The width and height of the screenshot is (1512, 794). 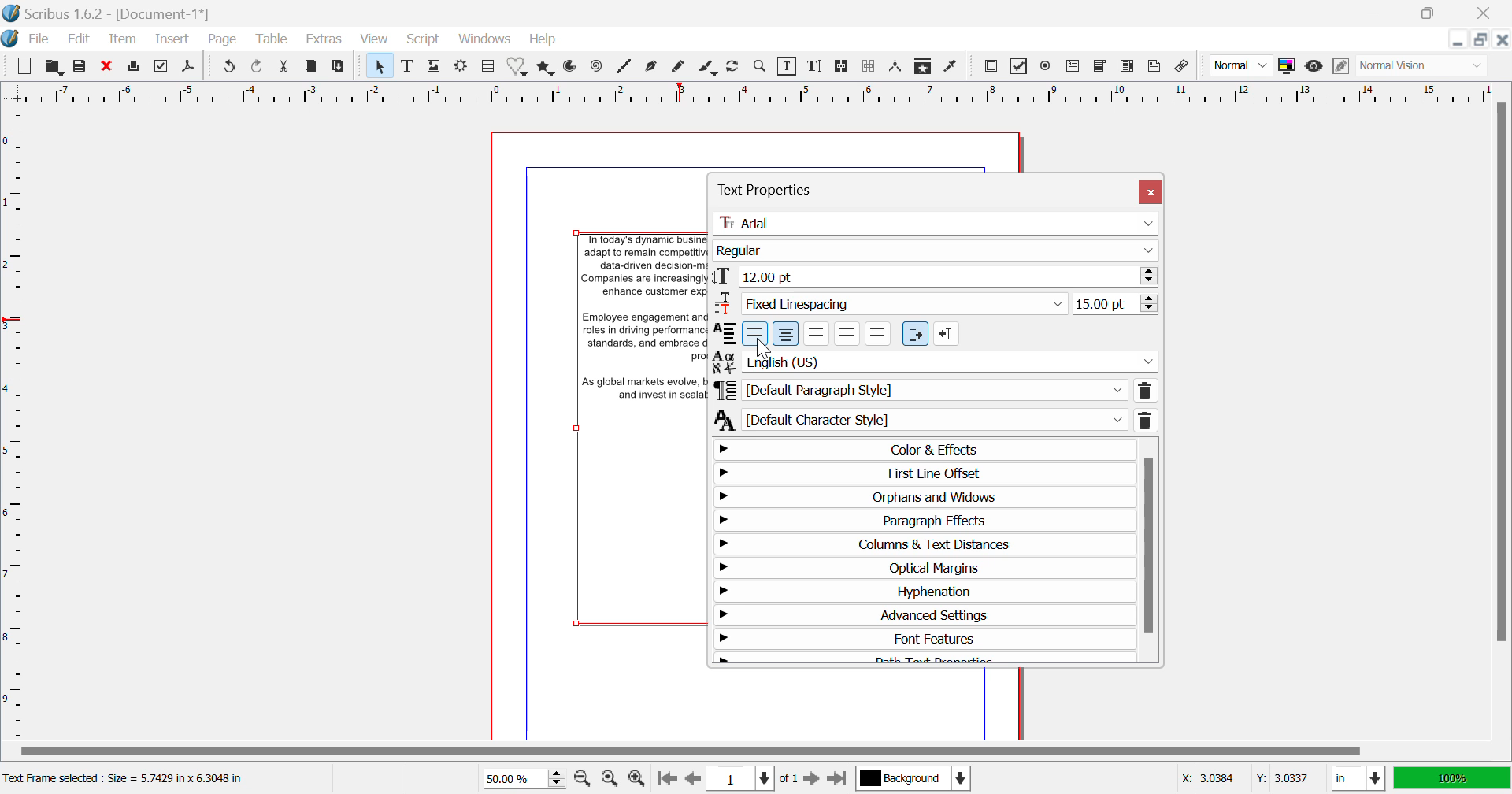 I want to click on Redo, so click(x=259, y=66).